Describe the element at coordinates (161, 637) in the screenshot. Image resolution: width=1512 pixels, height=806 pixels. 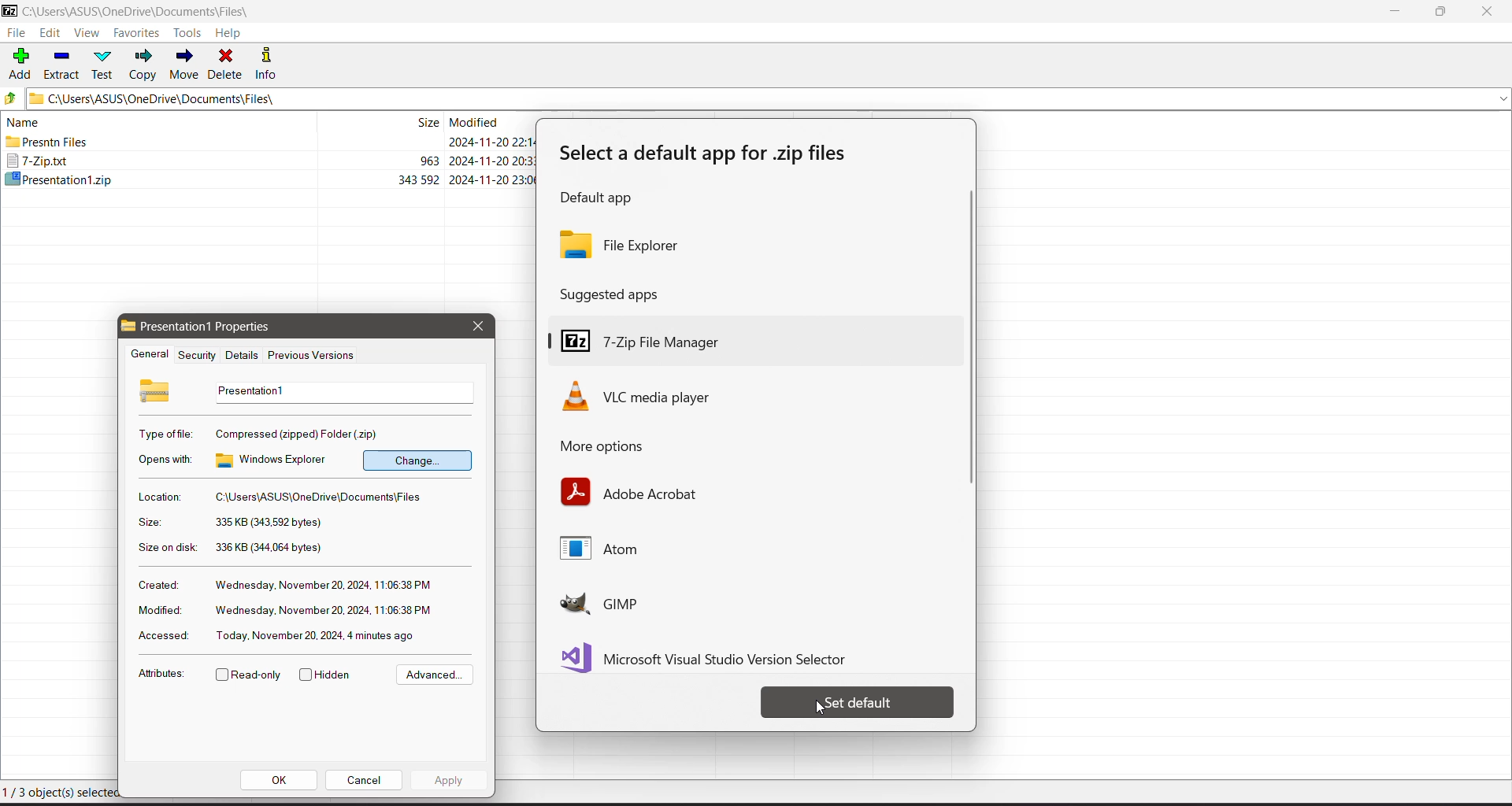
I see `Accessed` at that location.